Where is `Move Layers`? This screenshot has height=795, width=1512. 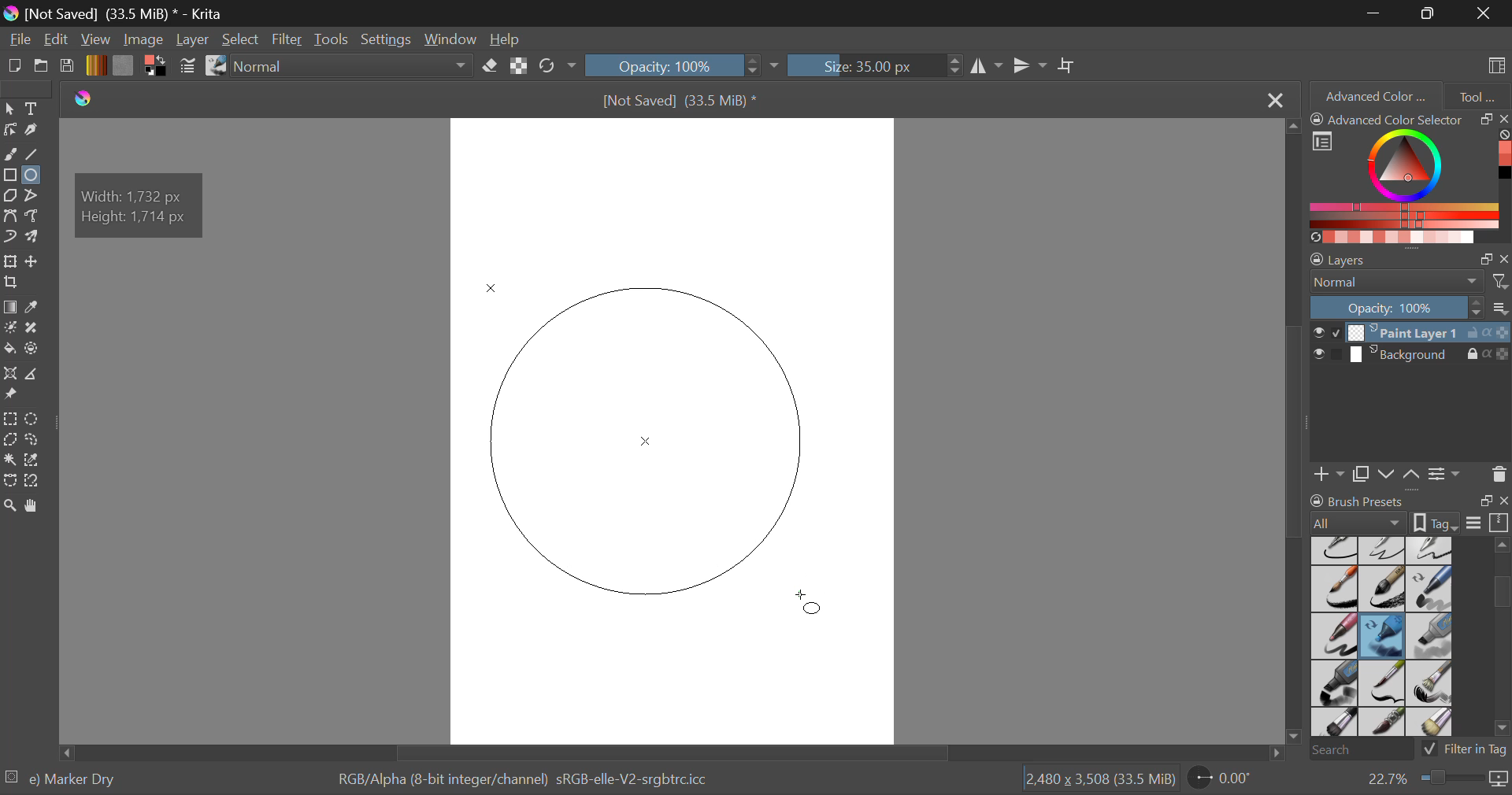 Move Layers is located at coordinates (1400, 472).